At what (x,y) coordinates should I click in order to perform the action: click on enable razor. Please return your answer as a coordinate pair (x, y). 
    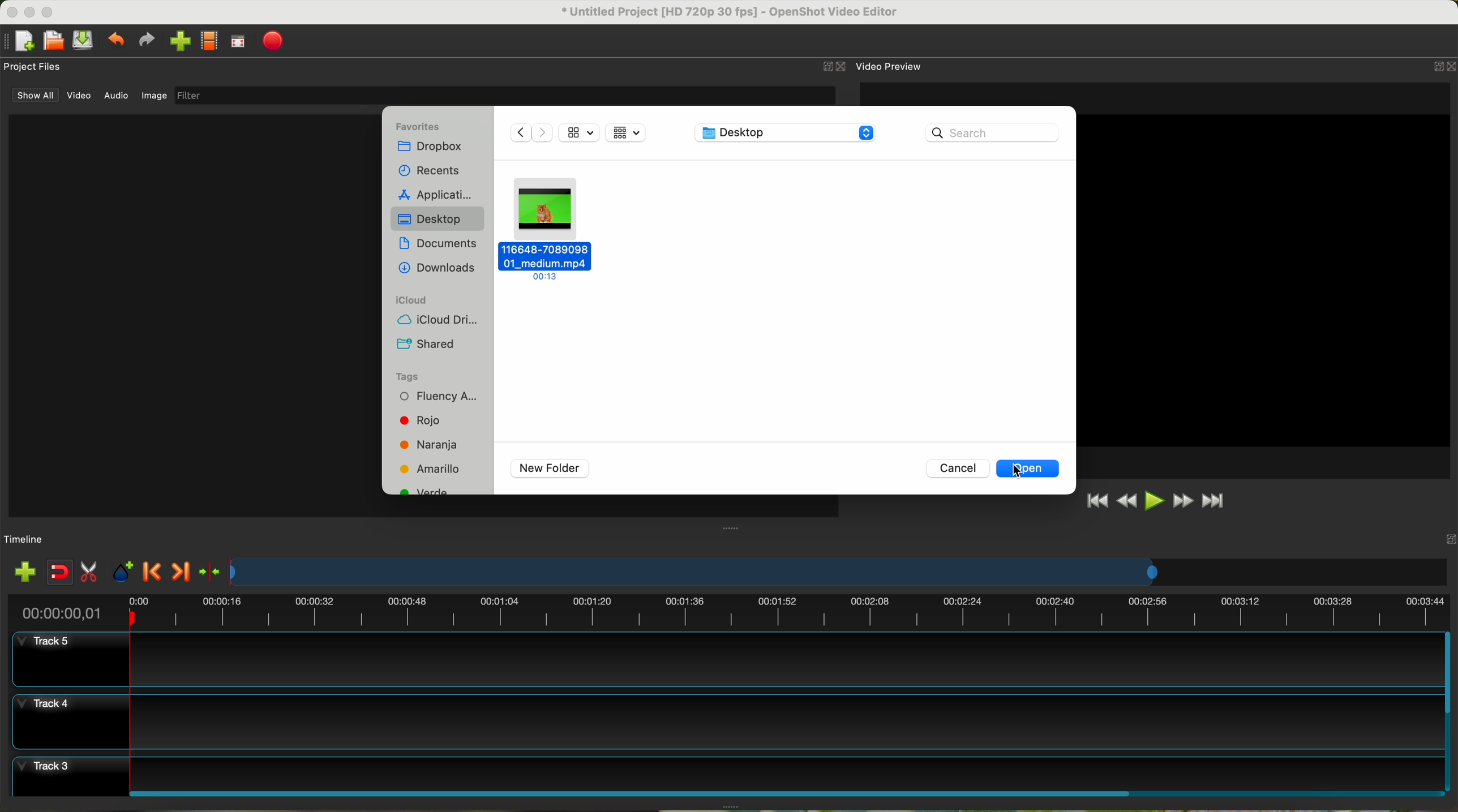
    Looking at the image, I should click on (89, 573).